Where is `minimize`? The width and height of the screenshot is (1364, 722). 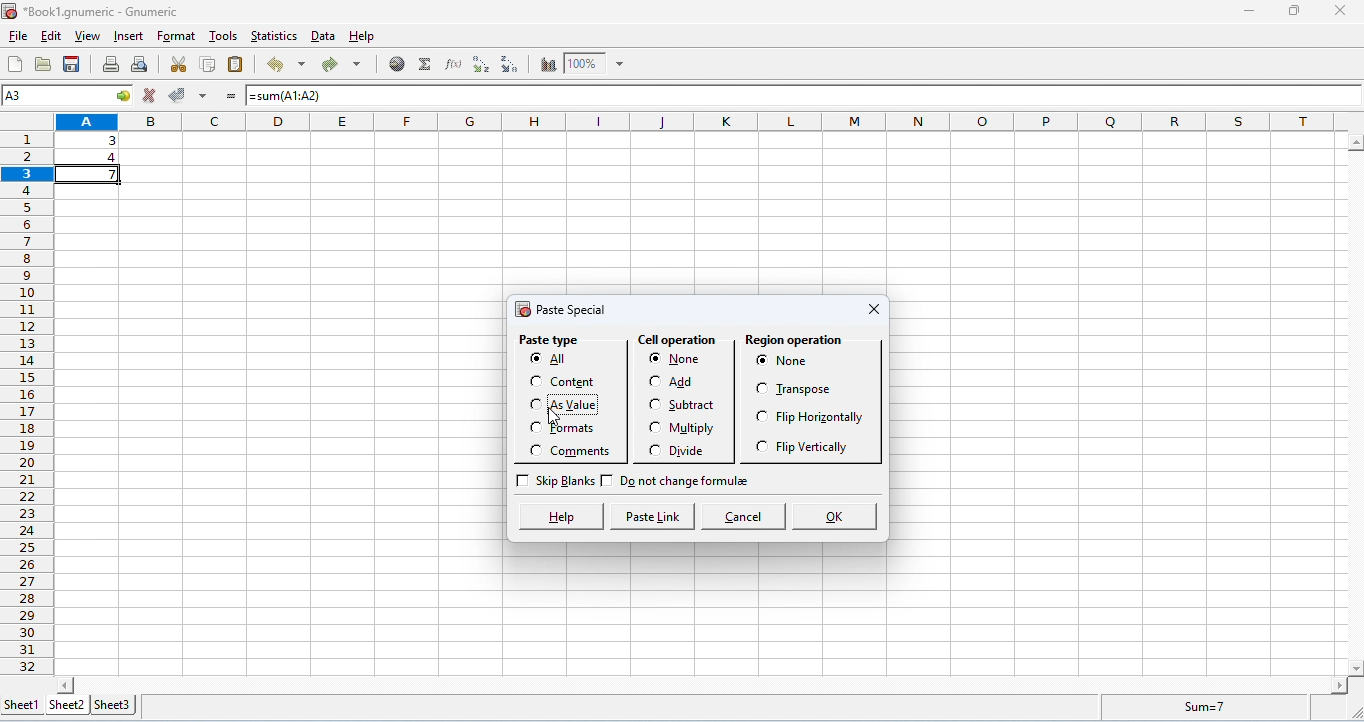
minimize is located at coordinates (1249, 13).